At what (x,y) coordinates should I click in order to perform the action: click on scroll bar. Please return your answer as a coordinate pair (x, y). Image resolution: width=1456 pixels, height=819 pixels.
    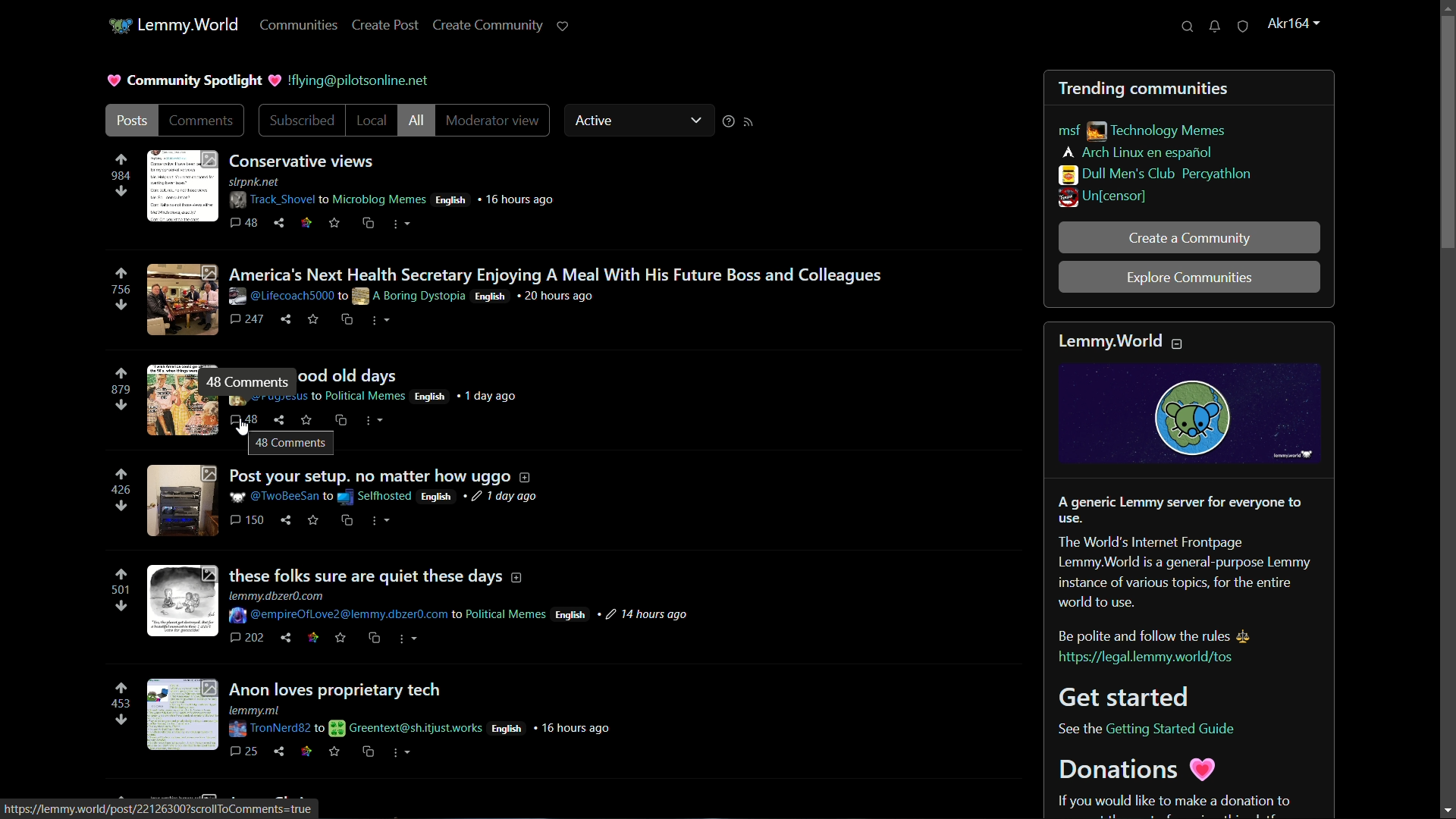
    Looking at the image, I should click on (1447, 416).